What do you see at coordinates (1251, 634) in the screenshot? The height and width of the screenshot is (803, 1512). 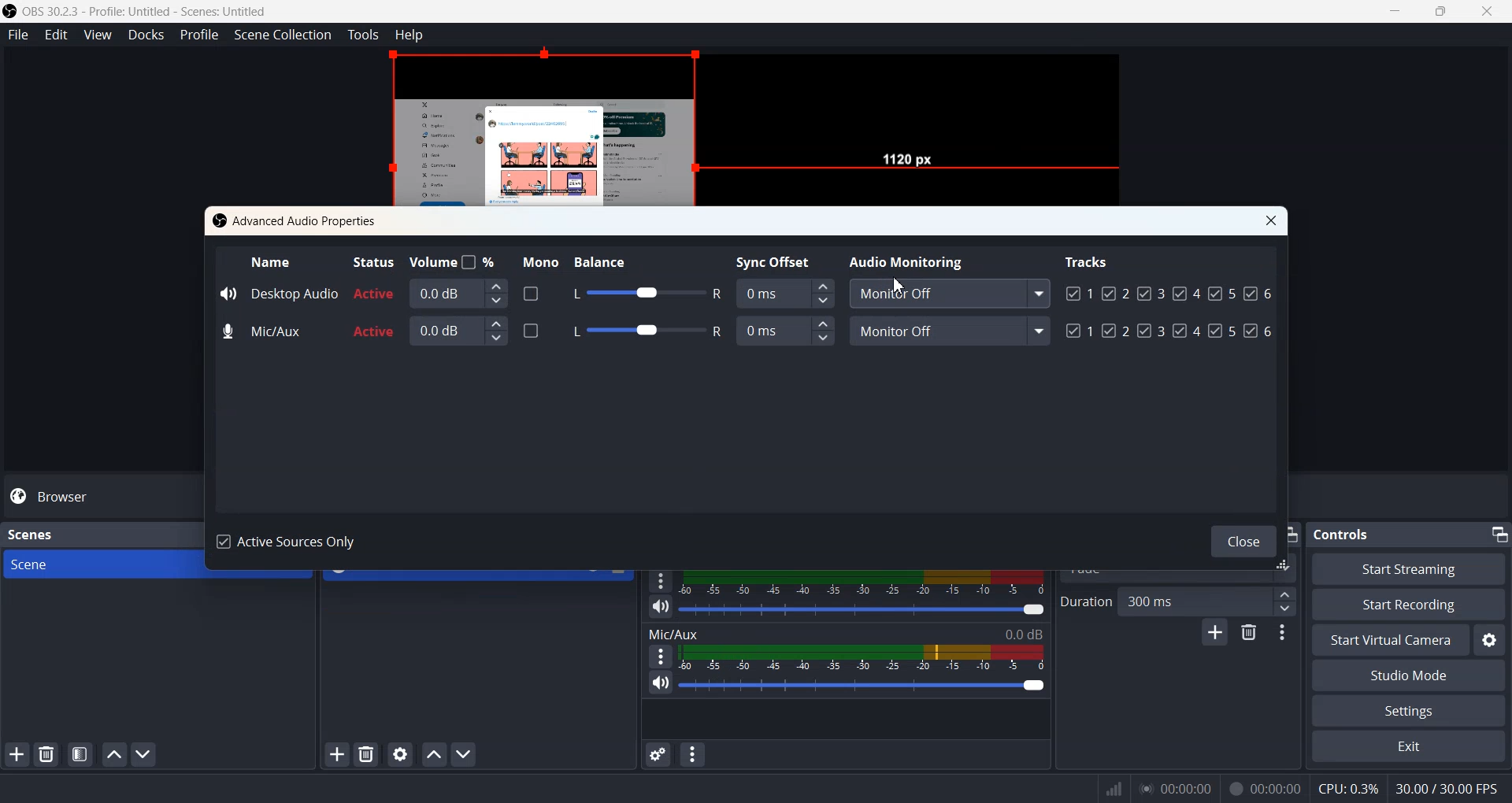 I see `Remove configurable transistion` at bounding box center [1251, 634].